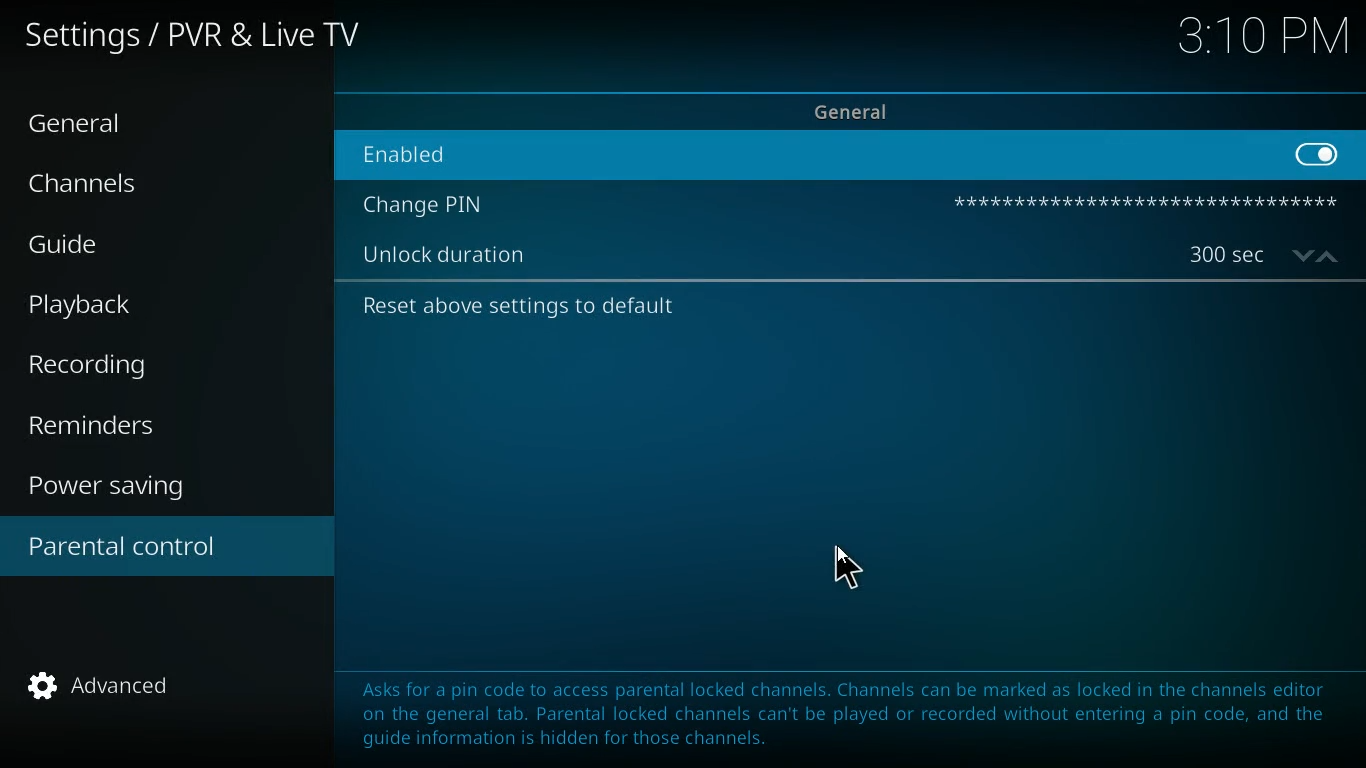 The height and width of the screenshot is (768, 1366). I want to click on time, so click(1262, 40).